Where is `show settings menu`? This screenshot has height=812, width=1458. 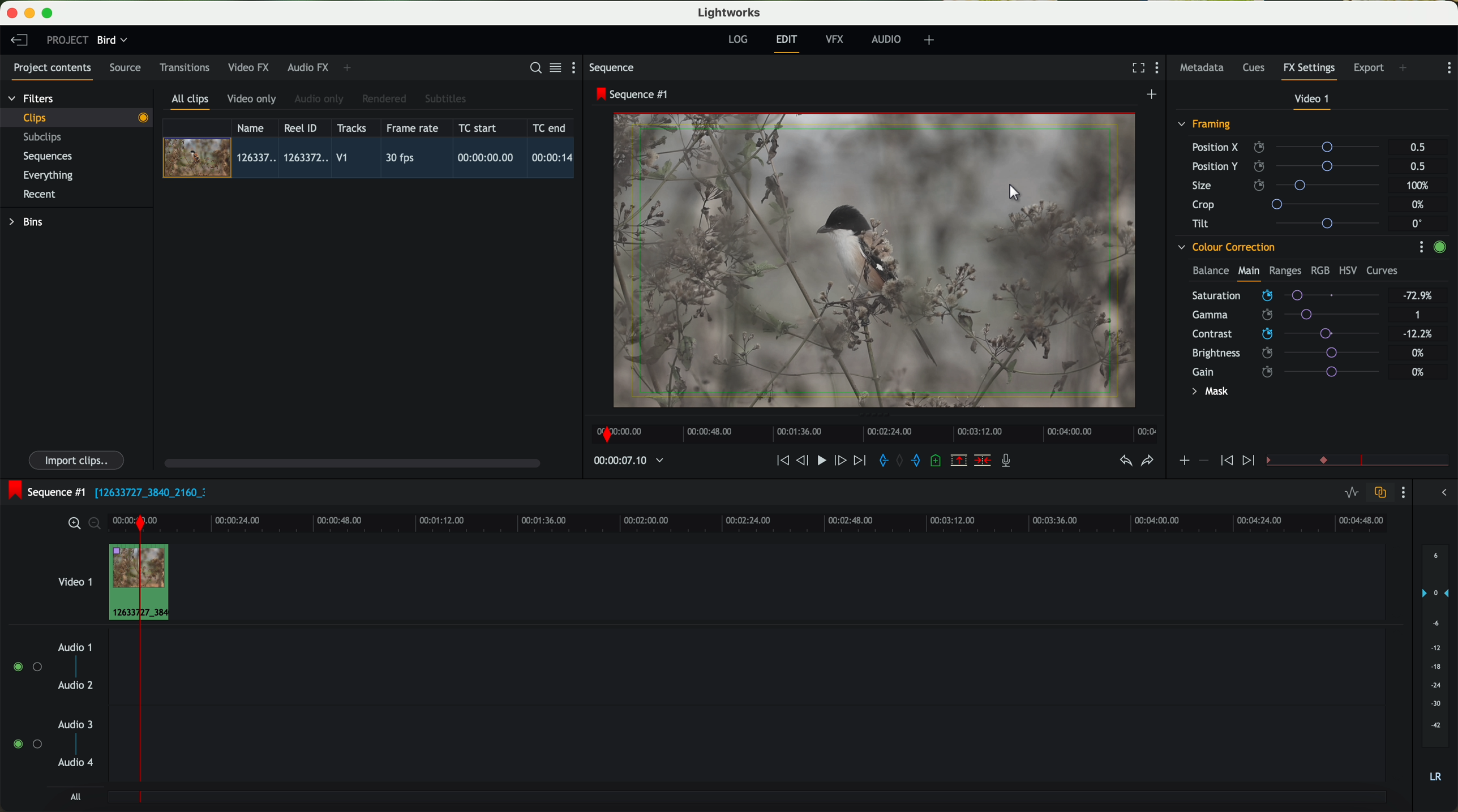
show settings menu is located at coordinates (1160, 69).